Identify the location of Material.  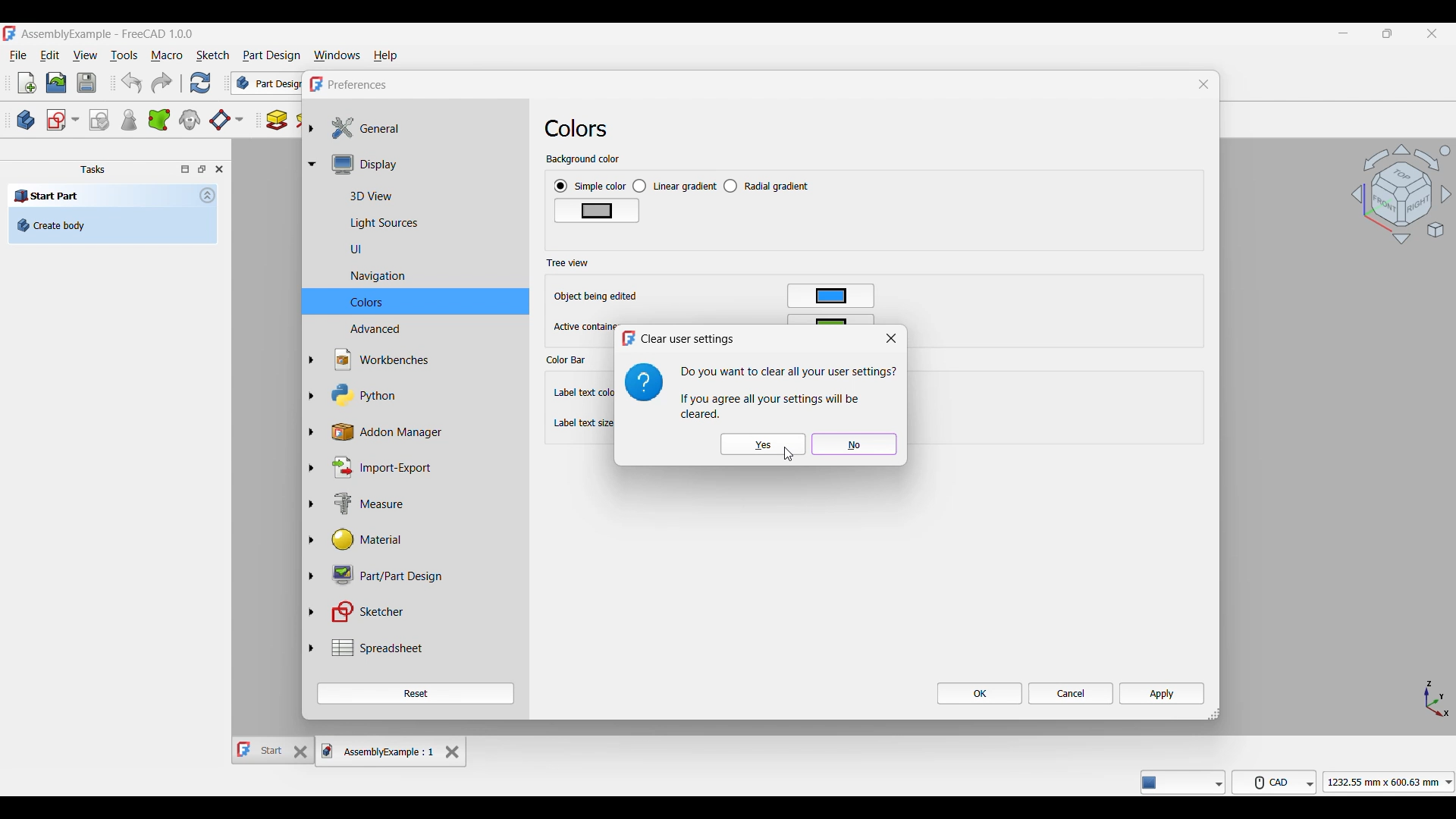
(354, 541).